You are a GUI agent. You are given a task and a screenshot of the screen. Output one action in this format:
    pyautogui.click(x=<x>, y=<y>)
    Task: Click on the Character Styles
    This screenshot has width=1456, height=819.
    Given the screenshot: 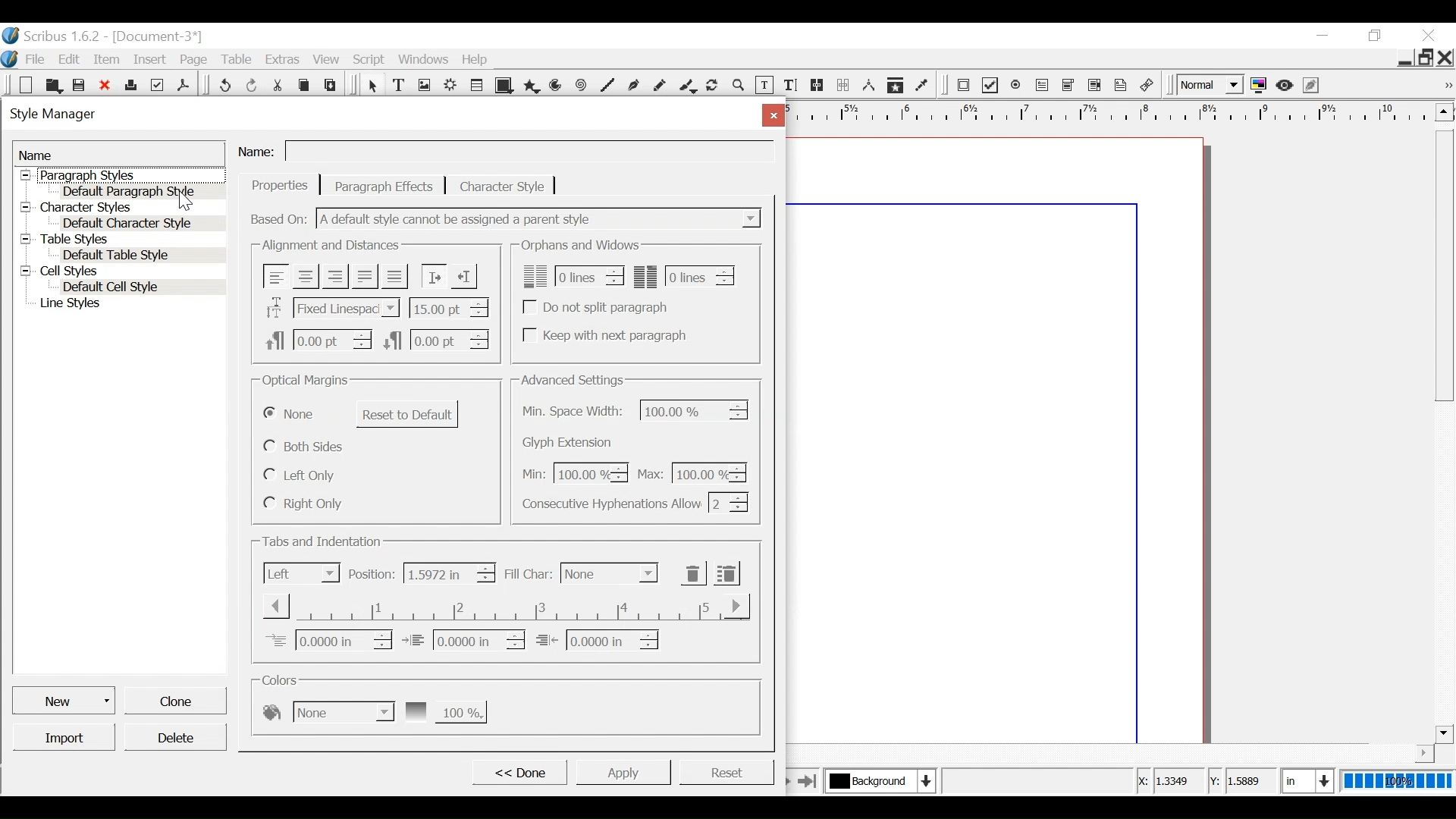 What is the action you would take?
    pyautogui.click(x=120, y=208)
    